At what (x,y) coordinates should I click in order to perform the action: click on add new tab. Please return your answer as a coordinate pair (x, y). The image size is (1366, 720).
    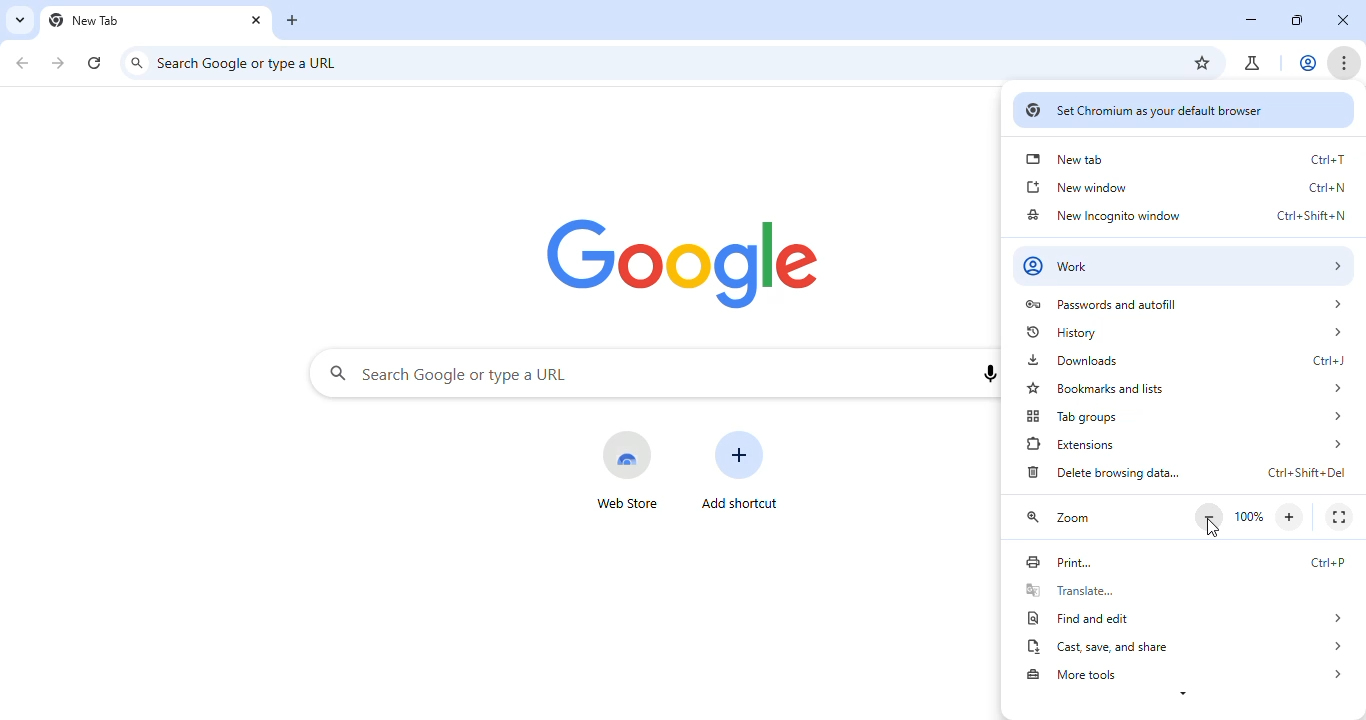
    Looking at the image, I should click on (295, 20).